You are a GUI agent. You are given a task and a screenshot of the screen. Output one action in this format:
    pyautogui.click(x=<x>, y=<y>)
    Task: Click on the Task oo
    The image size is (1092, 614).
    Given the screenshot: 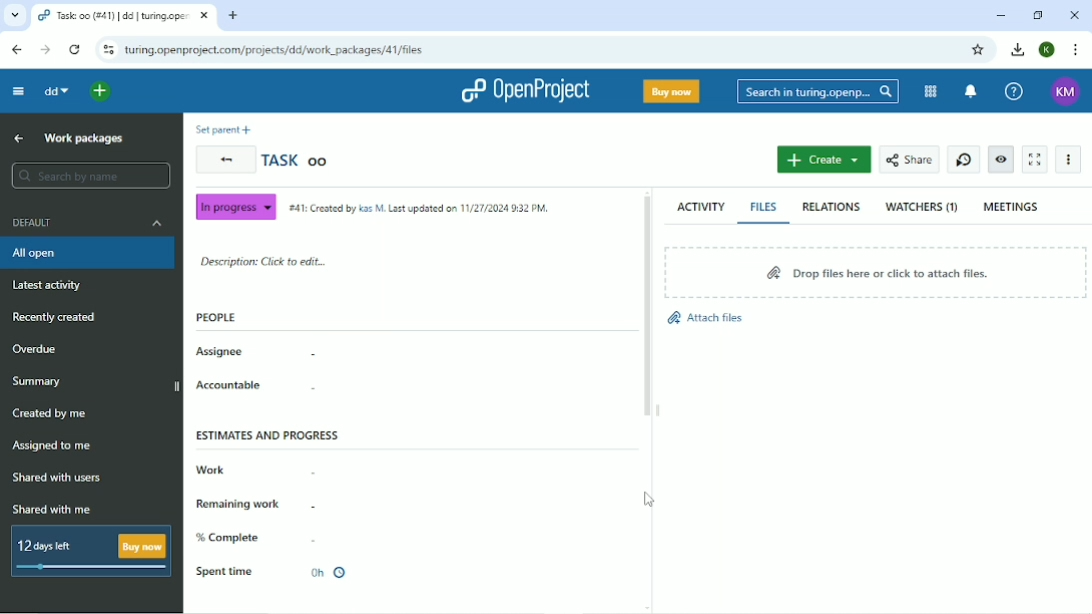 What is the action you would take?
    pyautogui.click(x=299, y=160)
    